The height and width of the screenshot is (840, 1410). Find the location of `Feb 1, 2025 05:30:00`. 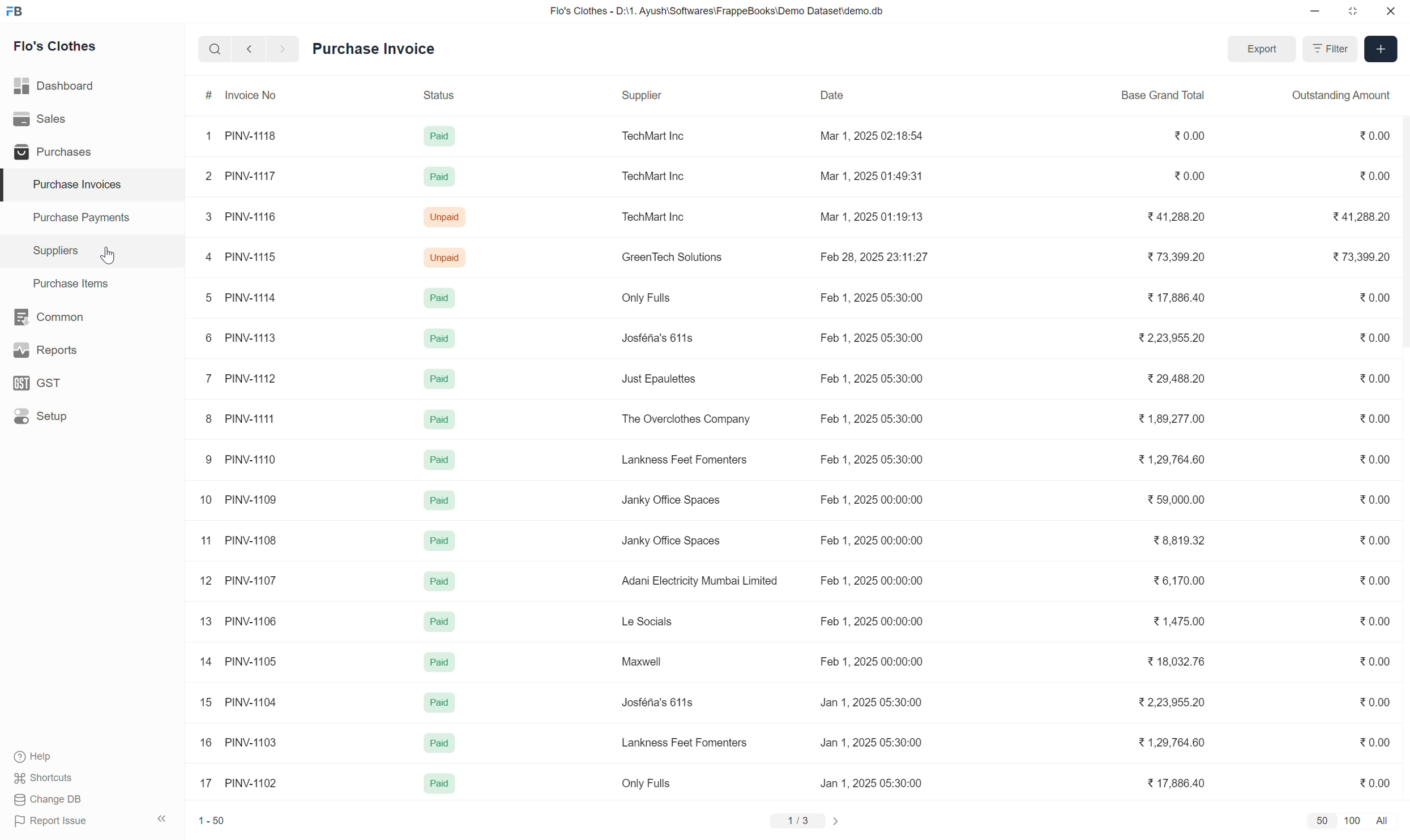

Feb 1, 2025 05:30:00 is located at coordinates (875, 376).